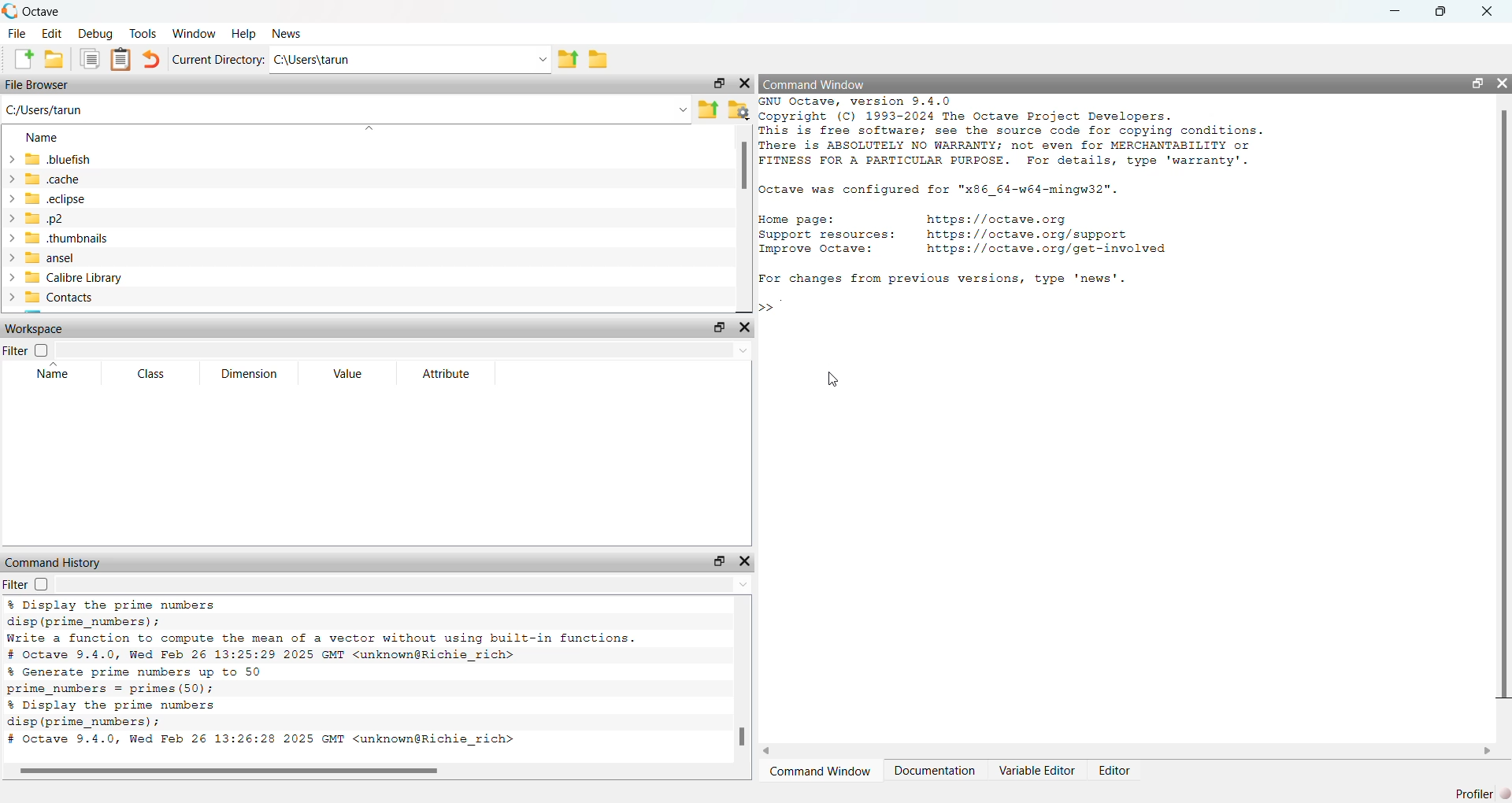 The width and height of the screenshot is (1512, 803). I want to click on open in separate window, so click(721, 83).